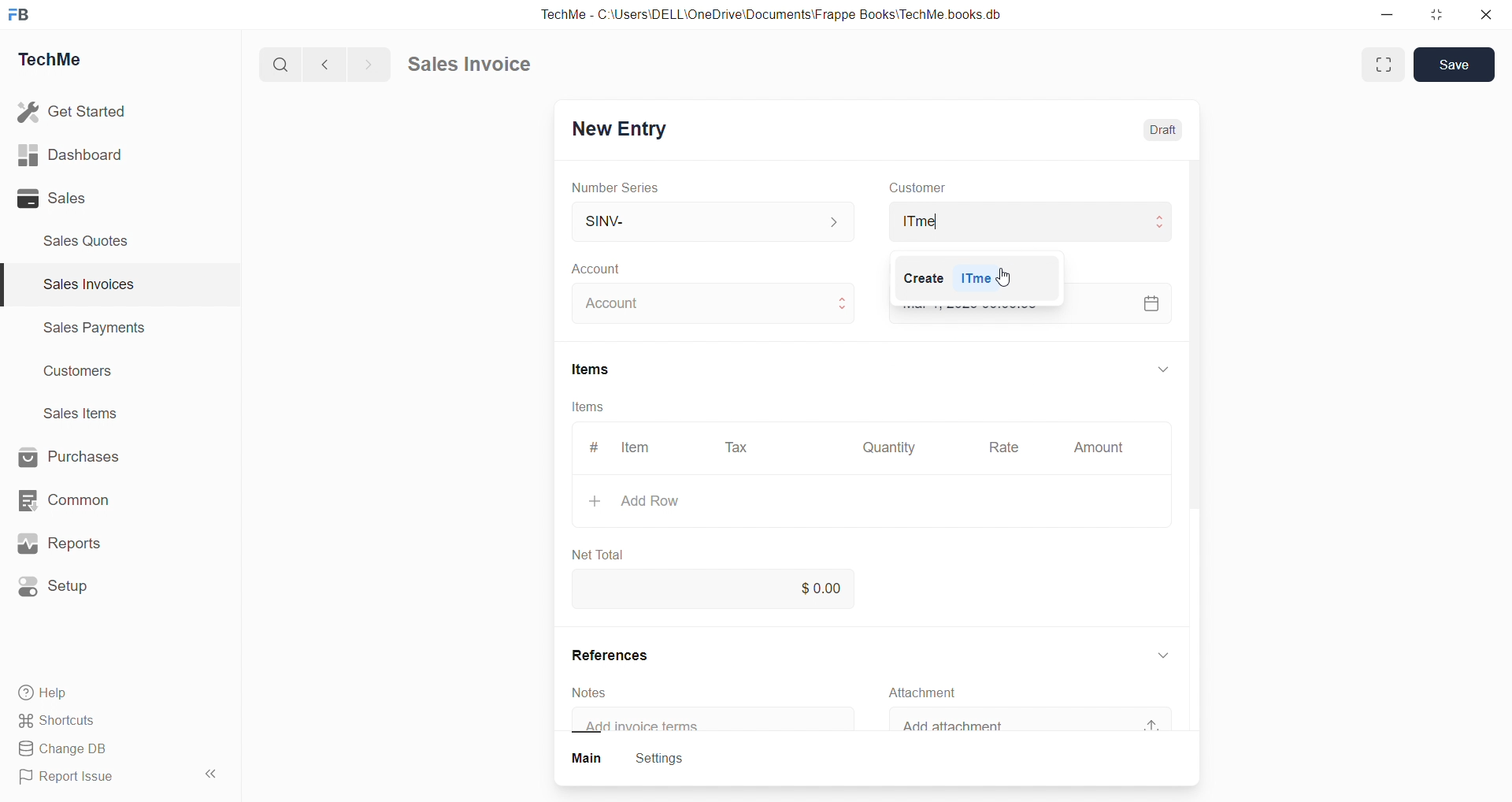 This screenshot has height=802, width=1512. I want to click on TechMe - C-\Users\DELL\OneDrive\Documents\Frappe Books'TechMe books db, so click(787, 12).